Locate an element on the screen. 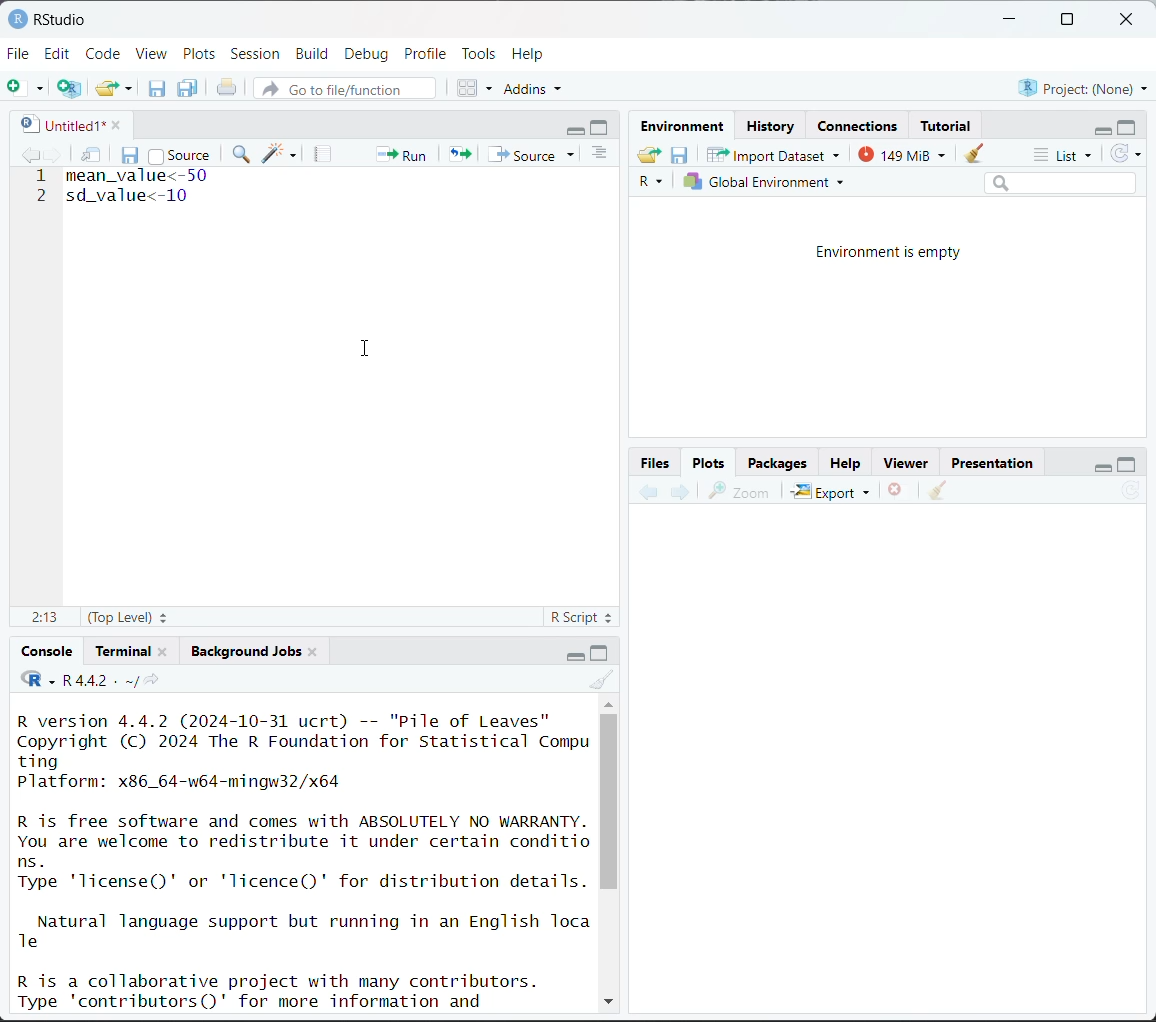 The width and height of the screenshot is (1156, 1022). R is located at coordinates (654, 183).